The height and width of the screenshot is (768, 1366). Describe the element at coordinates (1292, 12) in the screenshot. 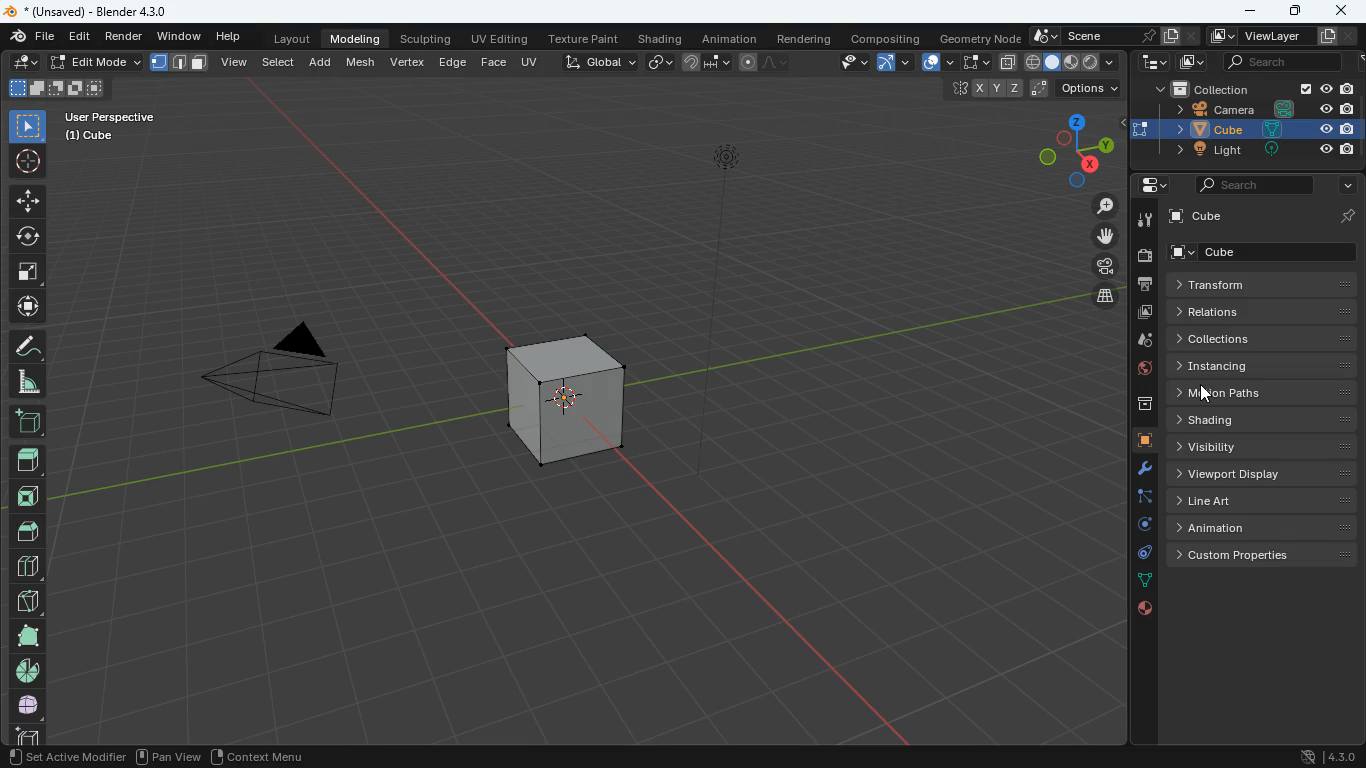

I see `maximize` at that location.